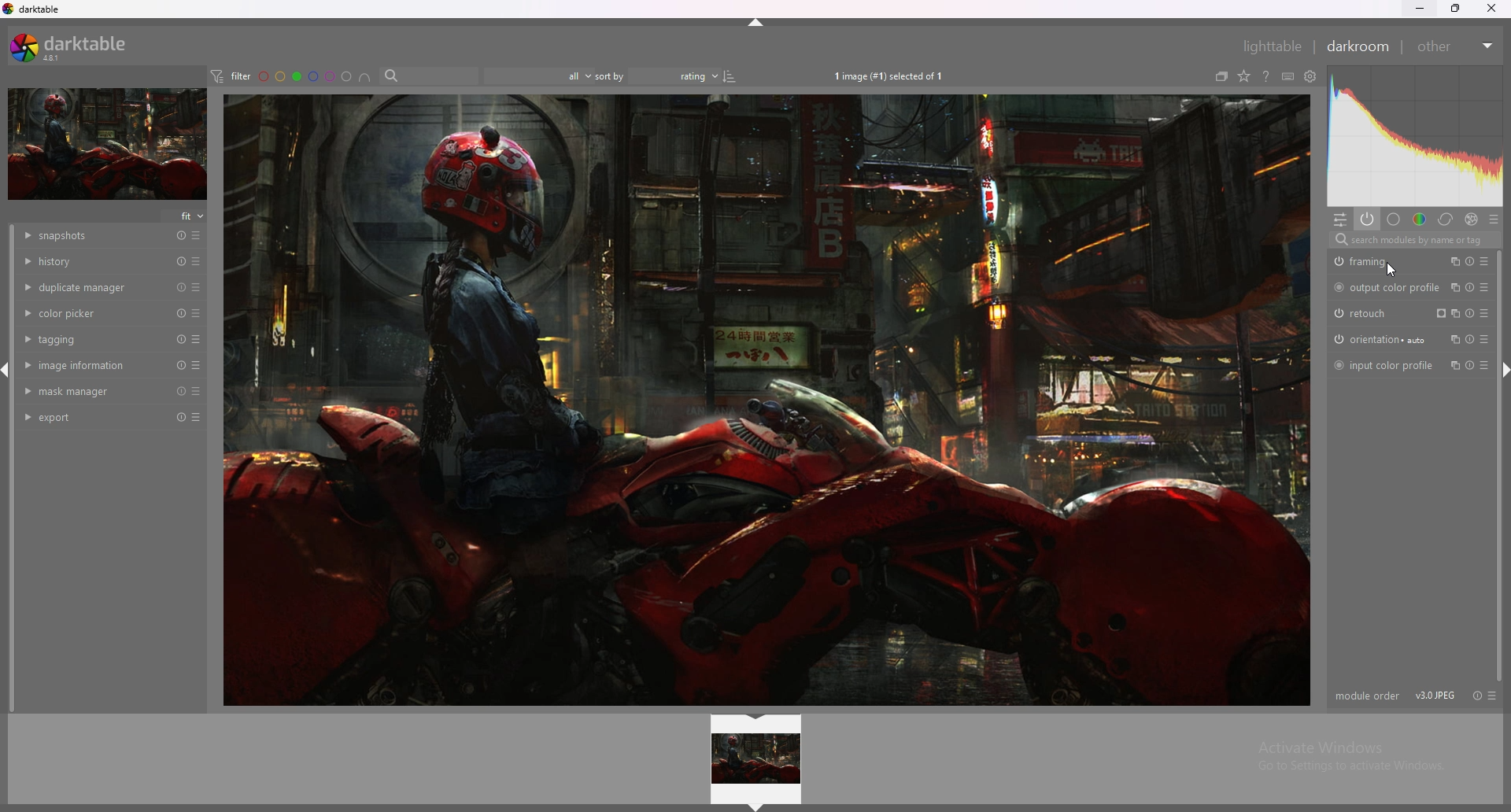 This screenshot has width=1511, height=812. I want to click on color picker, so click(94, 312).